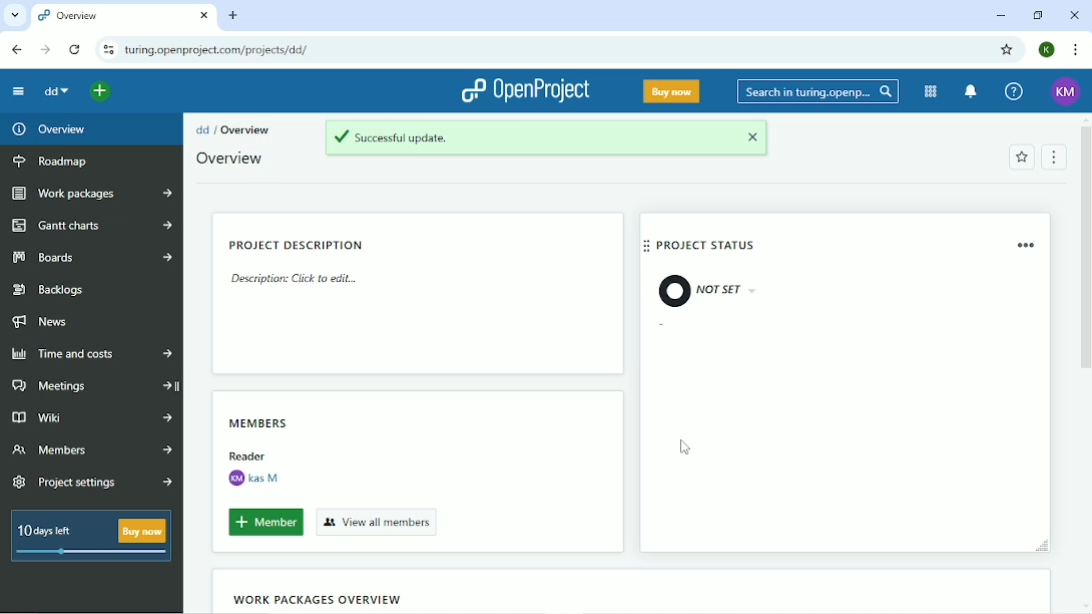 The width and height of the screenshot is (1092, 614). Describe the element at coordinates (1074, 51) in the screenshot. I see `Customize and control google chrome` at that location.